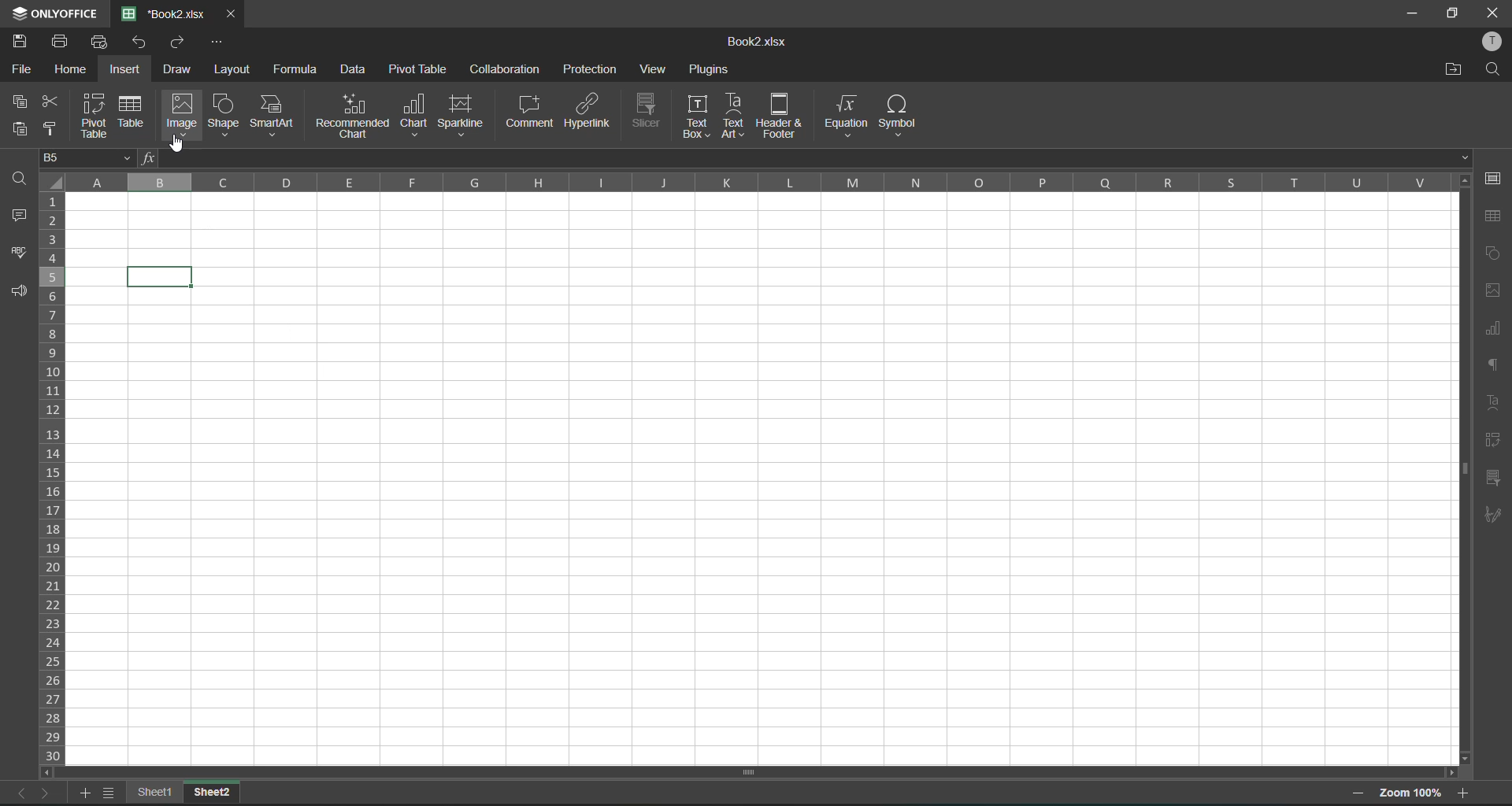 This screenshot has height=806, width=1512. What do you see at coordinates (184, 113) in the screenshot?
I see `image` at bounding box center [184, 113].